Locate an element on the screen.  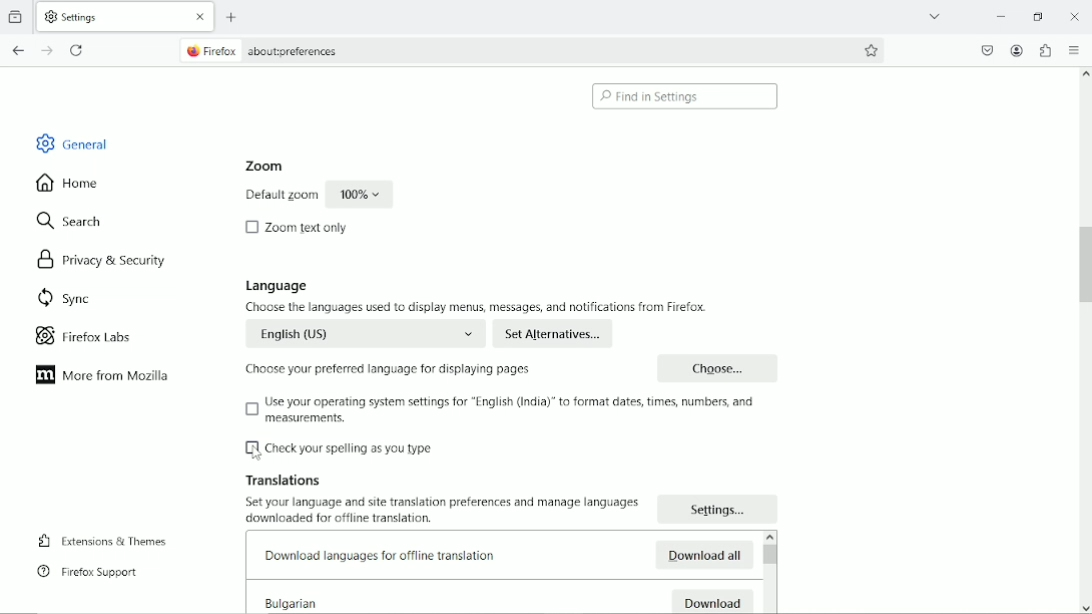
Extensions is located at coordinates (1044, 50).